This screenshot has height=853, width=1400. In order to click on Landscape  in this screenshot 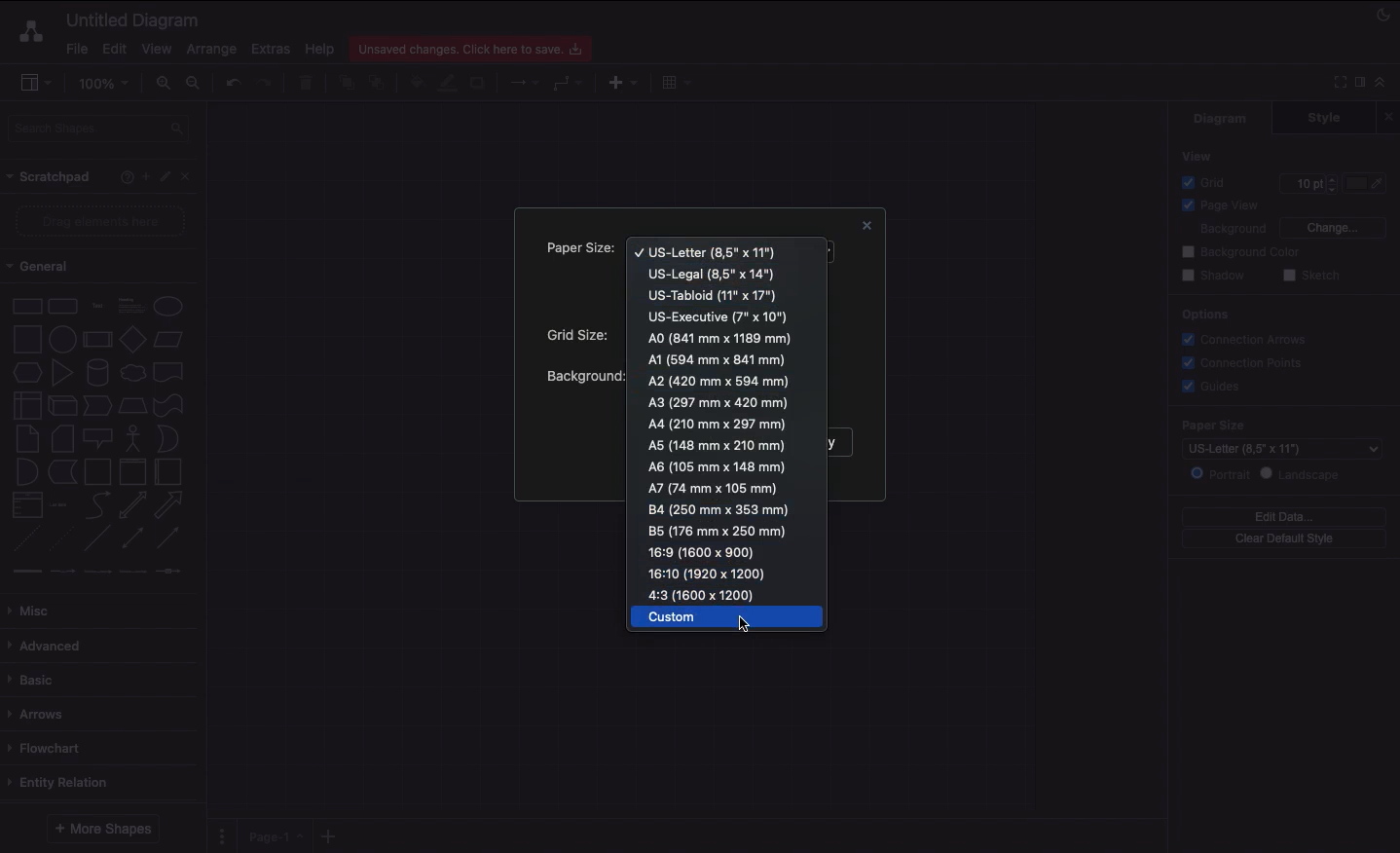, I will do `click(1304, 474)`.